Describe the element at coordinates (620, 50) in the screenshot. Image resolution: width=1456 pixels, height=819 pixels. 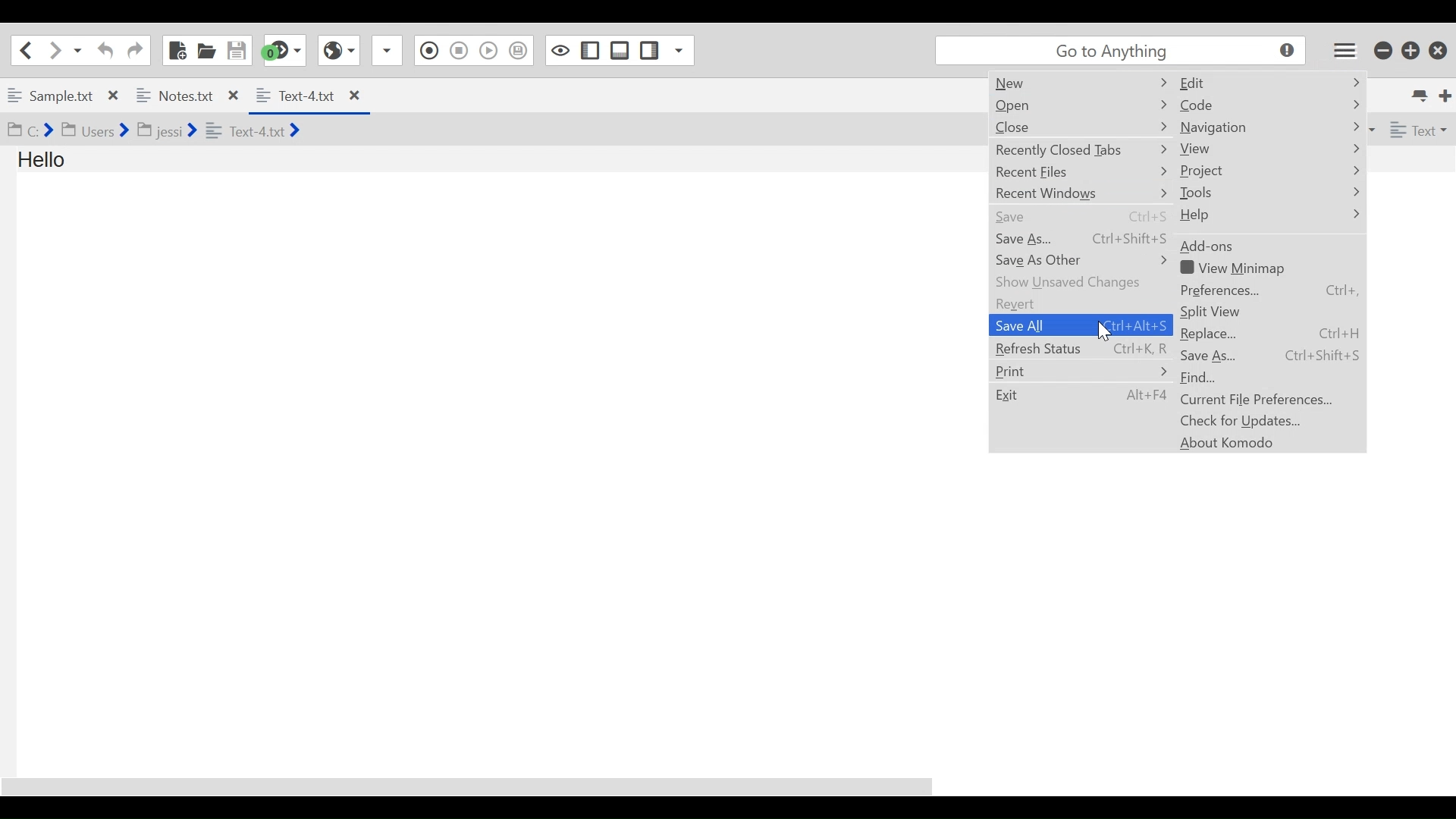
I see `Show/Hide Bottom Pane` at that location.